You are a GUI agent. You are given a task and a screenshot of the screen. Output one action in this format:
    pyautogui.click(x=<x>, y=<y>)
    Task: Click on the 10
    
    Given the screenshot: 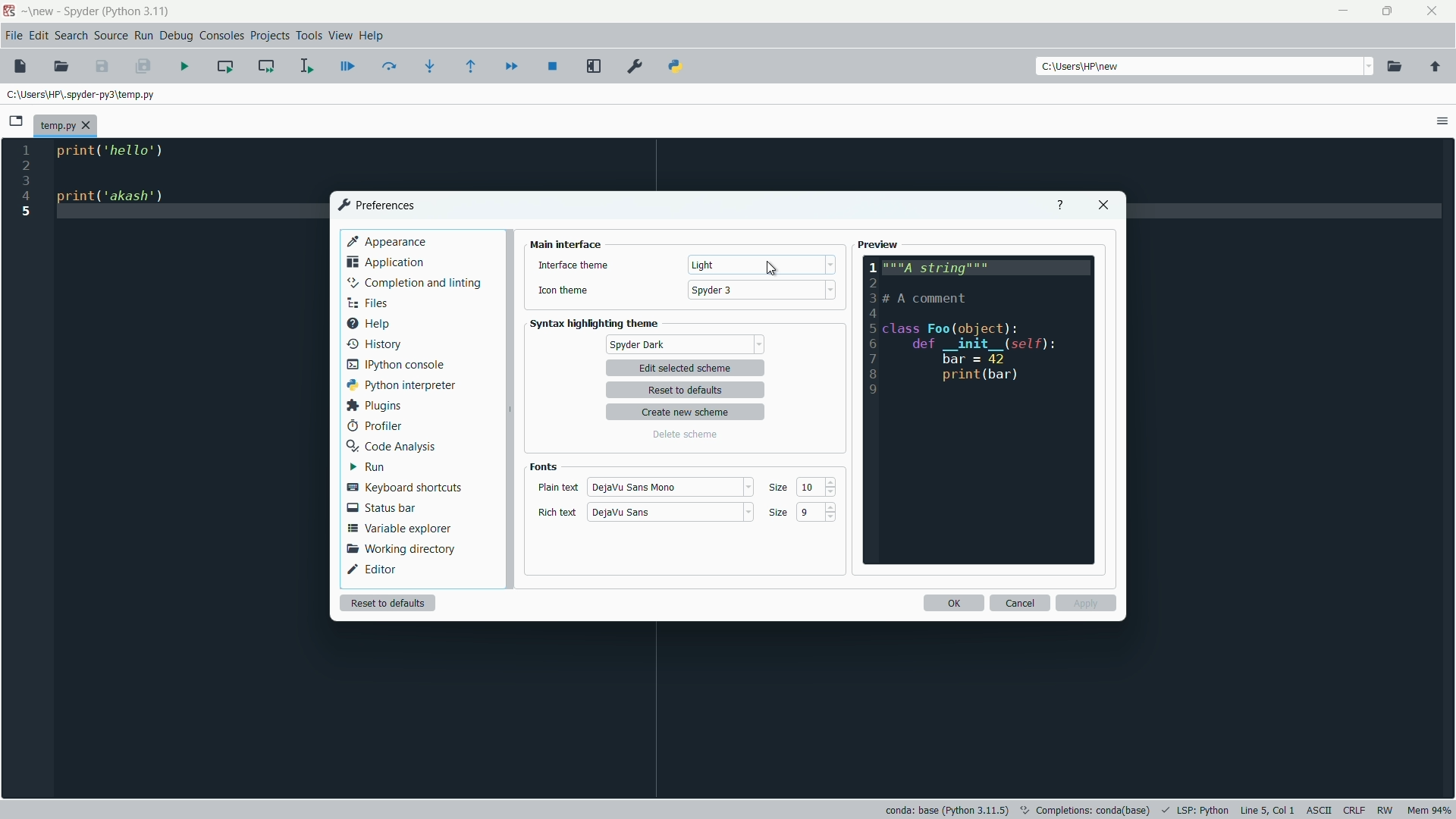 What is the action you would take?
    pyautogui.click(x=811, y=488)
    